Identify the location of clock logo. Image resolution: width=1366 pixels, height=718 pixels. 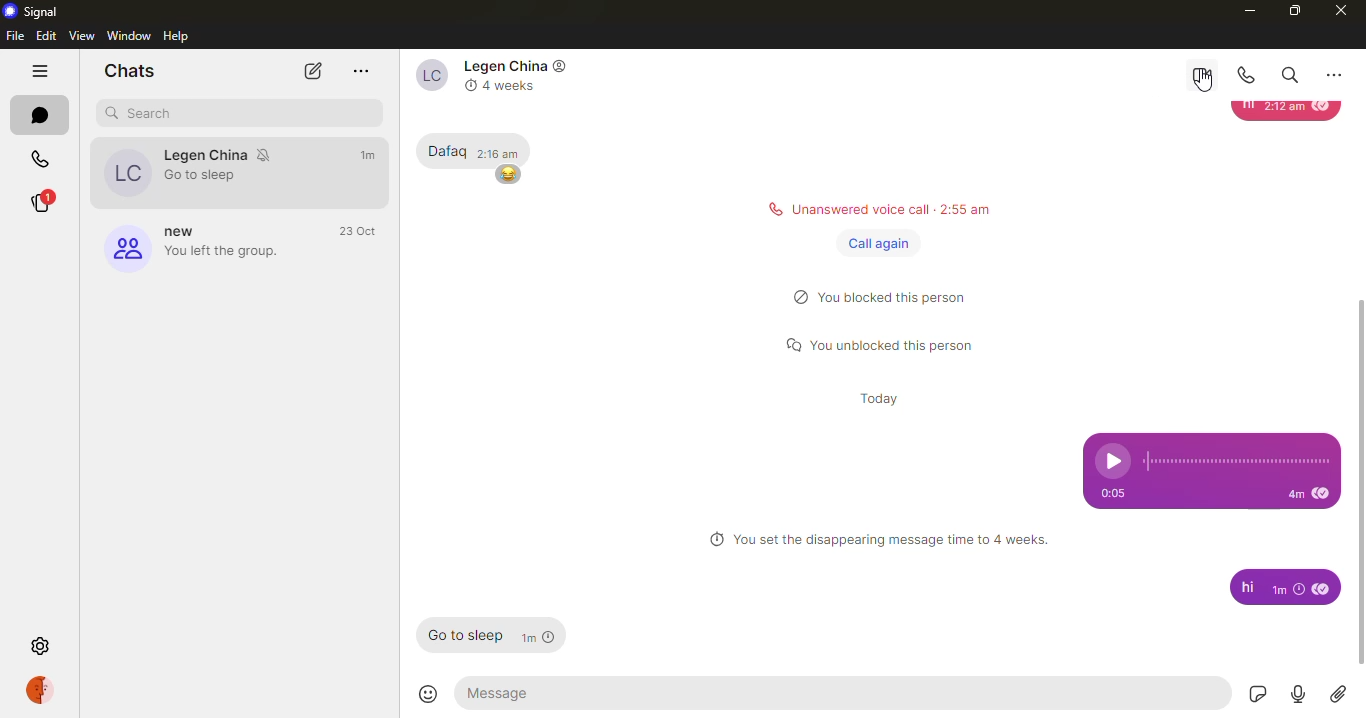
(711, 541).